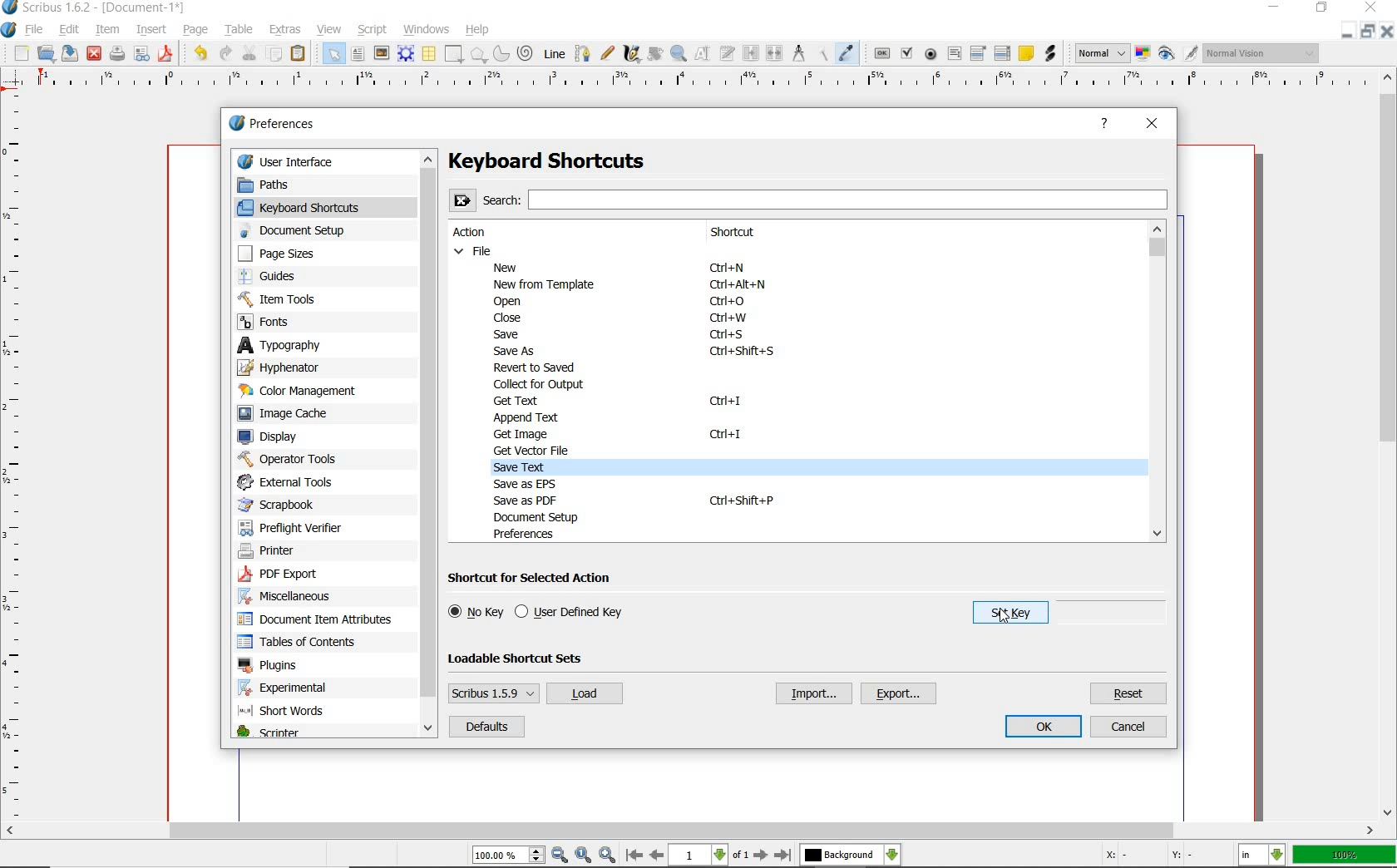  What do you see at coordinates (728, 319) in the screenshot?
I see `Ctrl + W` at bounding box center [728, 319].